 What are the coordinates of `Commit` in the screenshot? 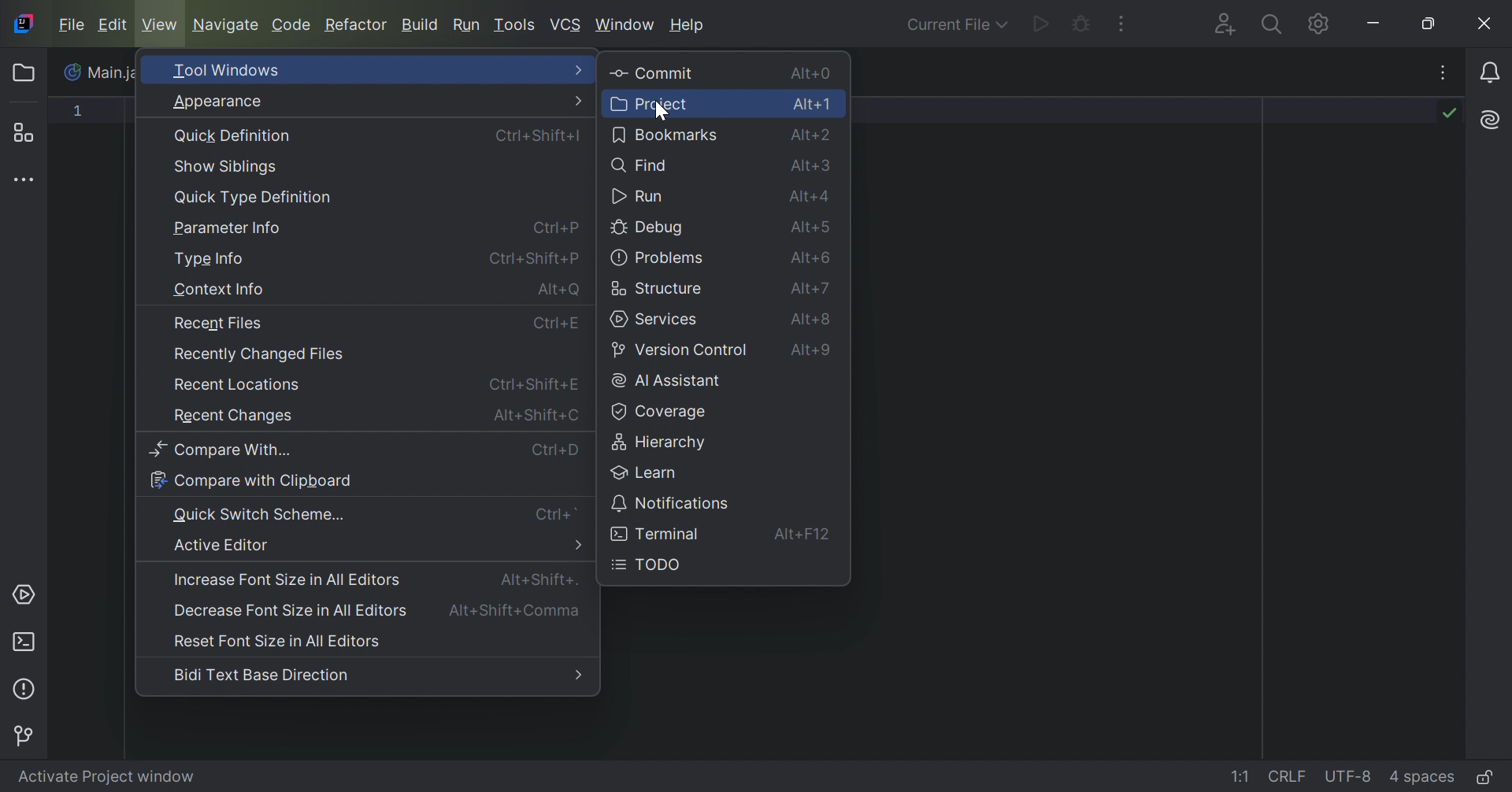 It's located at (653, 74).